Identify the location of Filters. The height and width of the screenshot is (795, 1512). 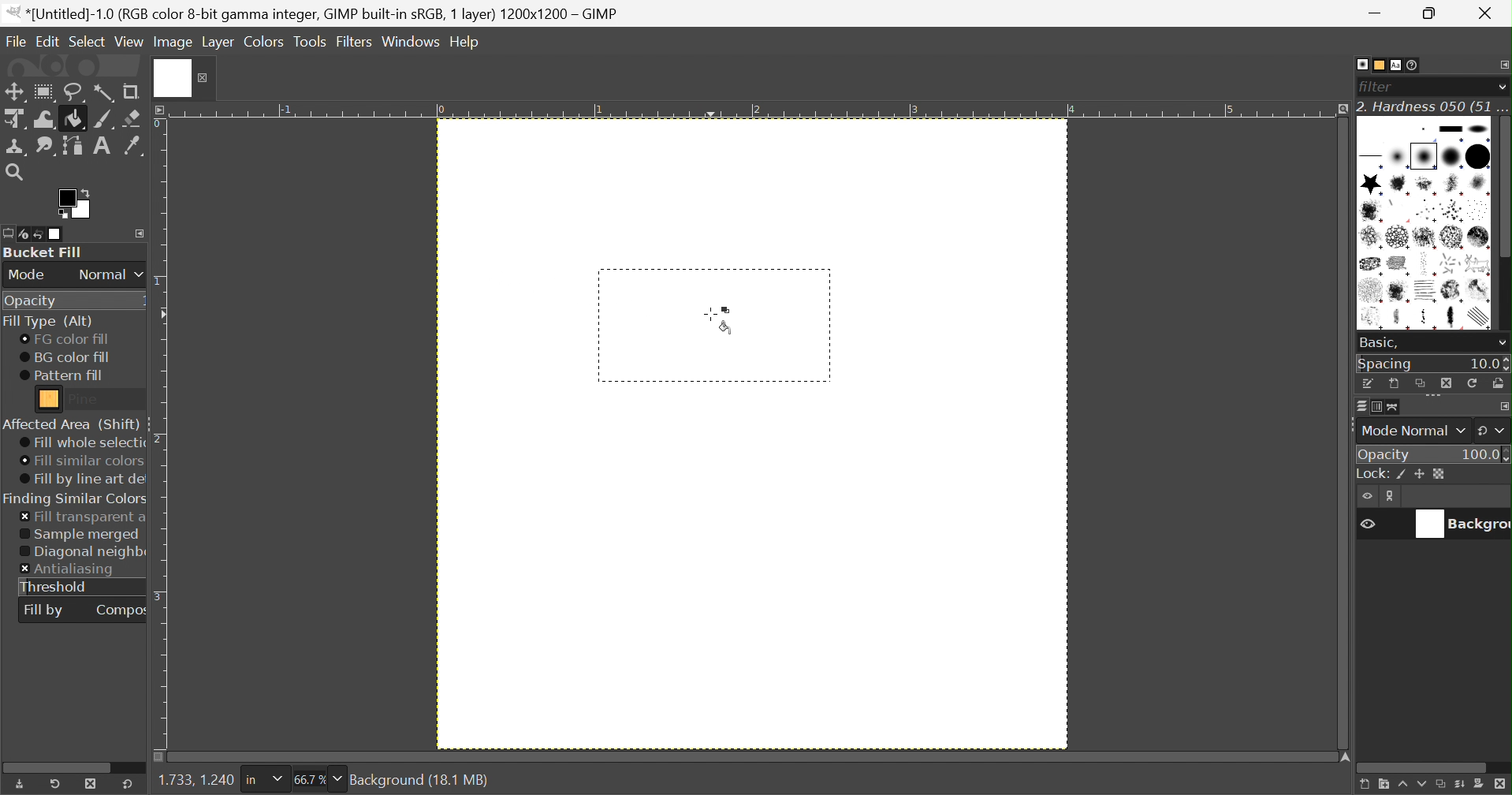
(354, 43).